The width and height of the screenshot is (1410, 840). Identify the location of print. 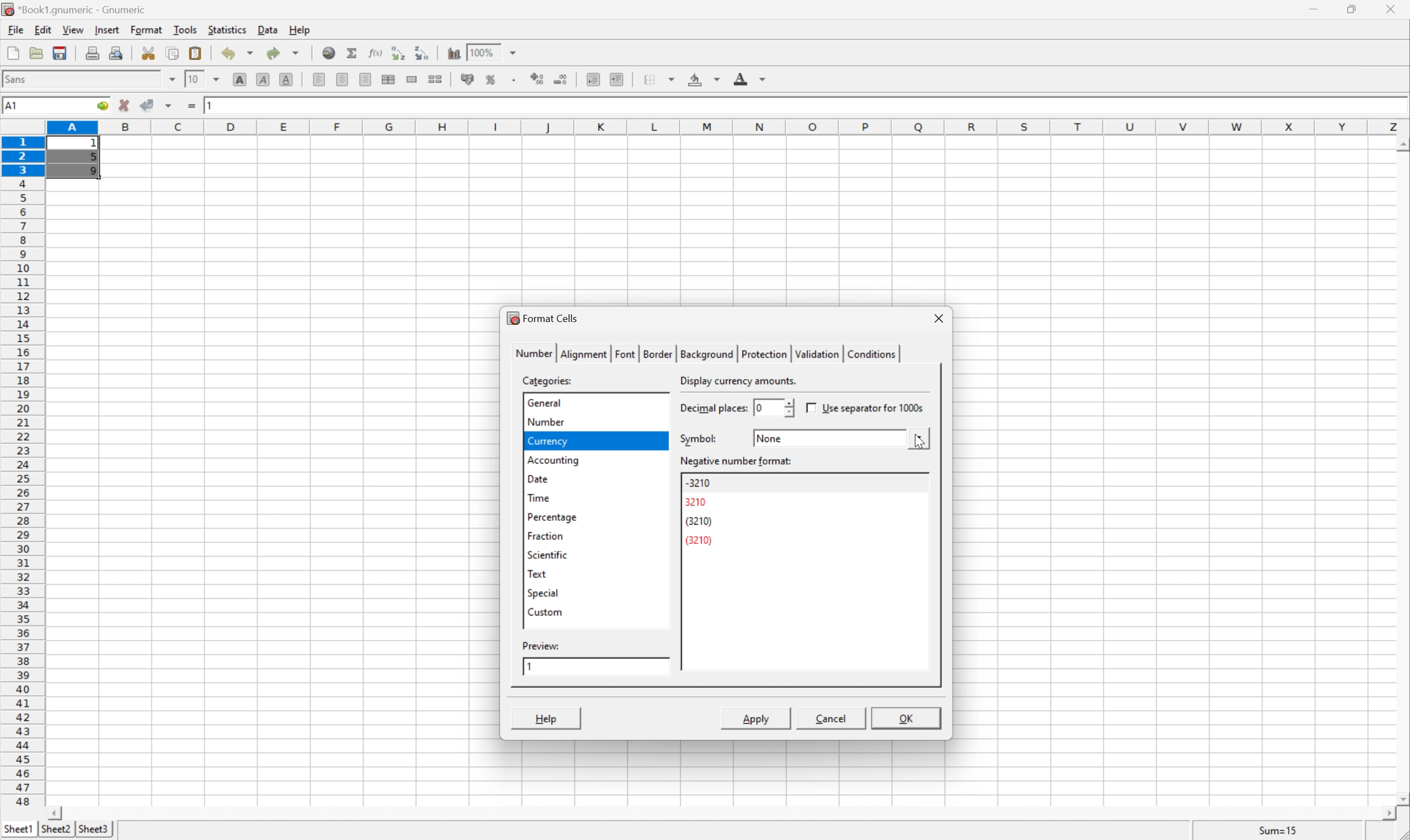
(91, 51).